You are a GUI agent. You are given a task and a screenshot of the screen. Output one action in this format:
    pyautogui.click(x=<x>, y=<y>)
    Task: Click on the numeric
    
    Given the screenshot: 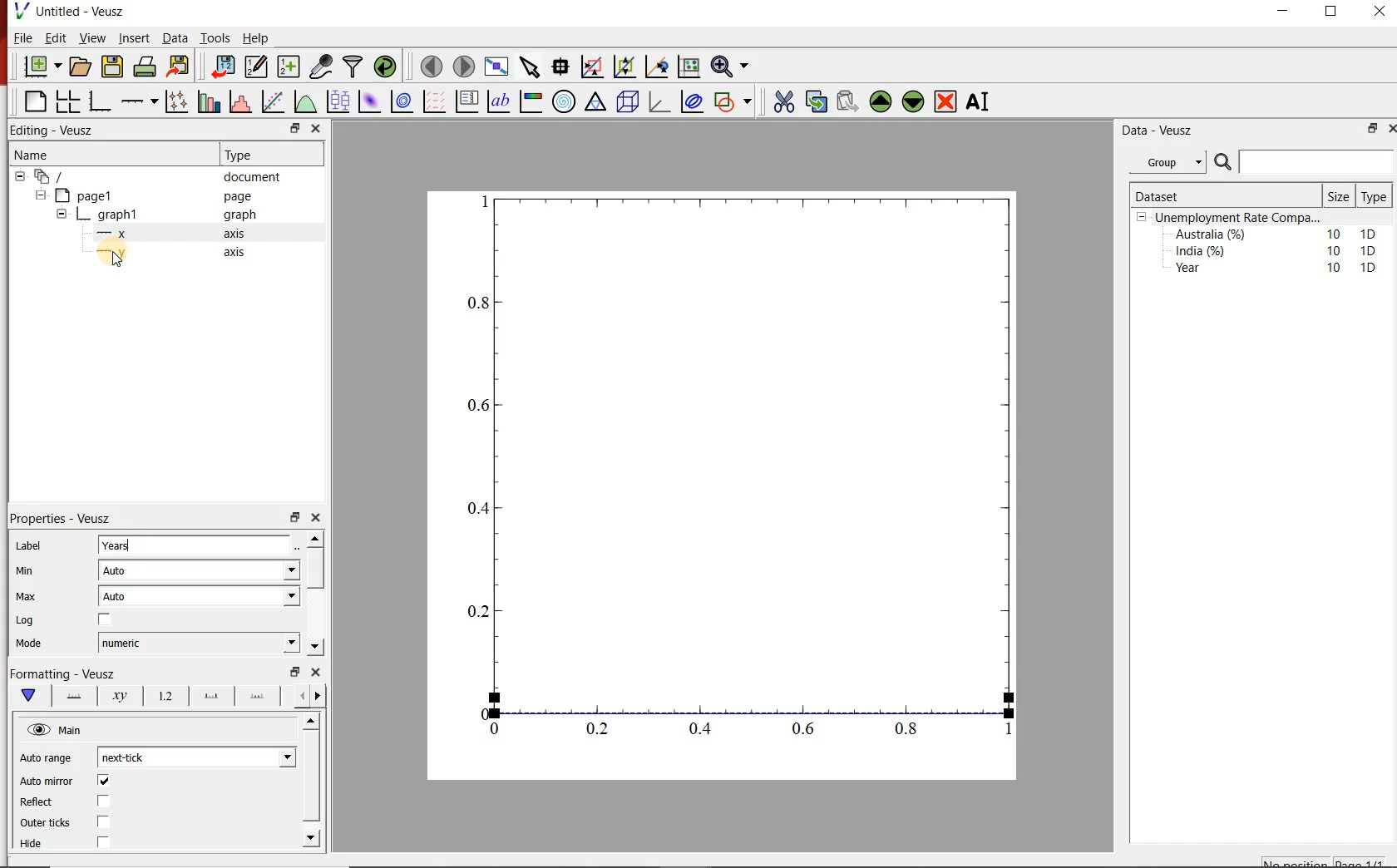 What is the action you would take?
    pyautogui.click(x=200, y=643)
    